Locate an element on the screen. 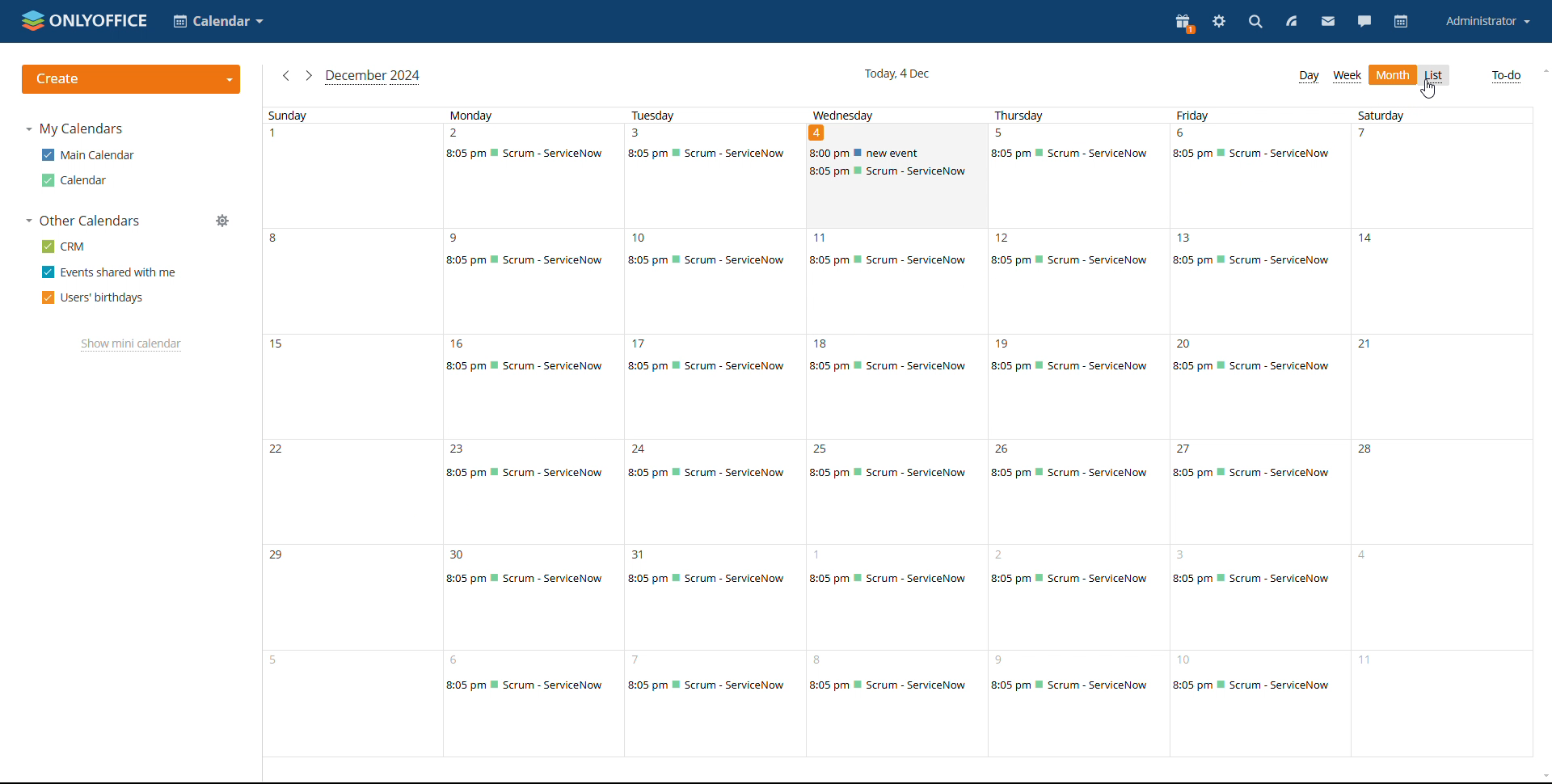 The image size is (1552, 784). tuesday is located at coordinates (716, 515).